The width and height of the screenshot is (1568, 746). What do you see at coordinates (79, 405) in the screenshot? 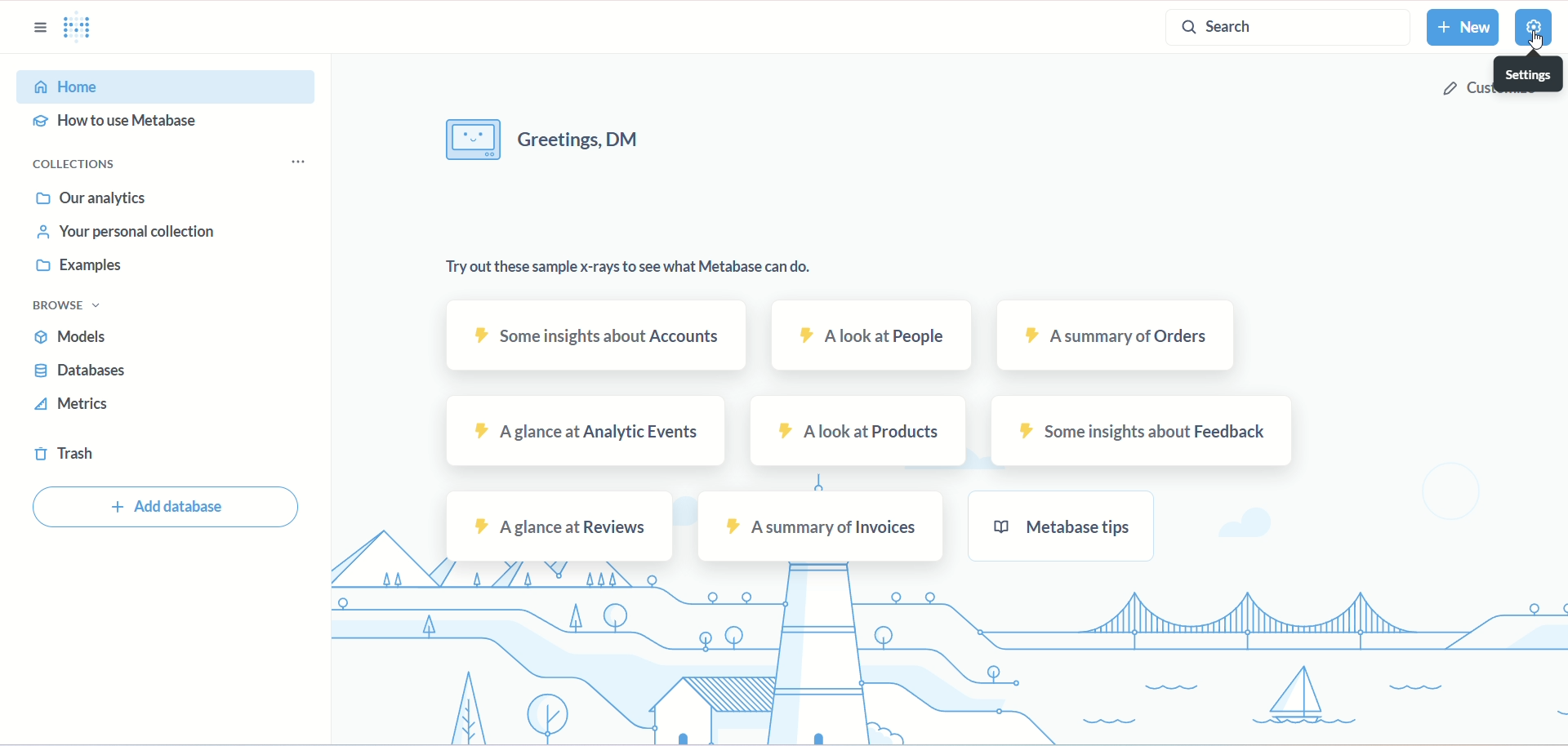
I see `metrics` at bounding box center [79, 405].